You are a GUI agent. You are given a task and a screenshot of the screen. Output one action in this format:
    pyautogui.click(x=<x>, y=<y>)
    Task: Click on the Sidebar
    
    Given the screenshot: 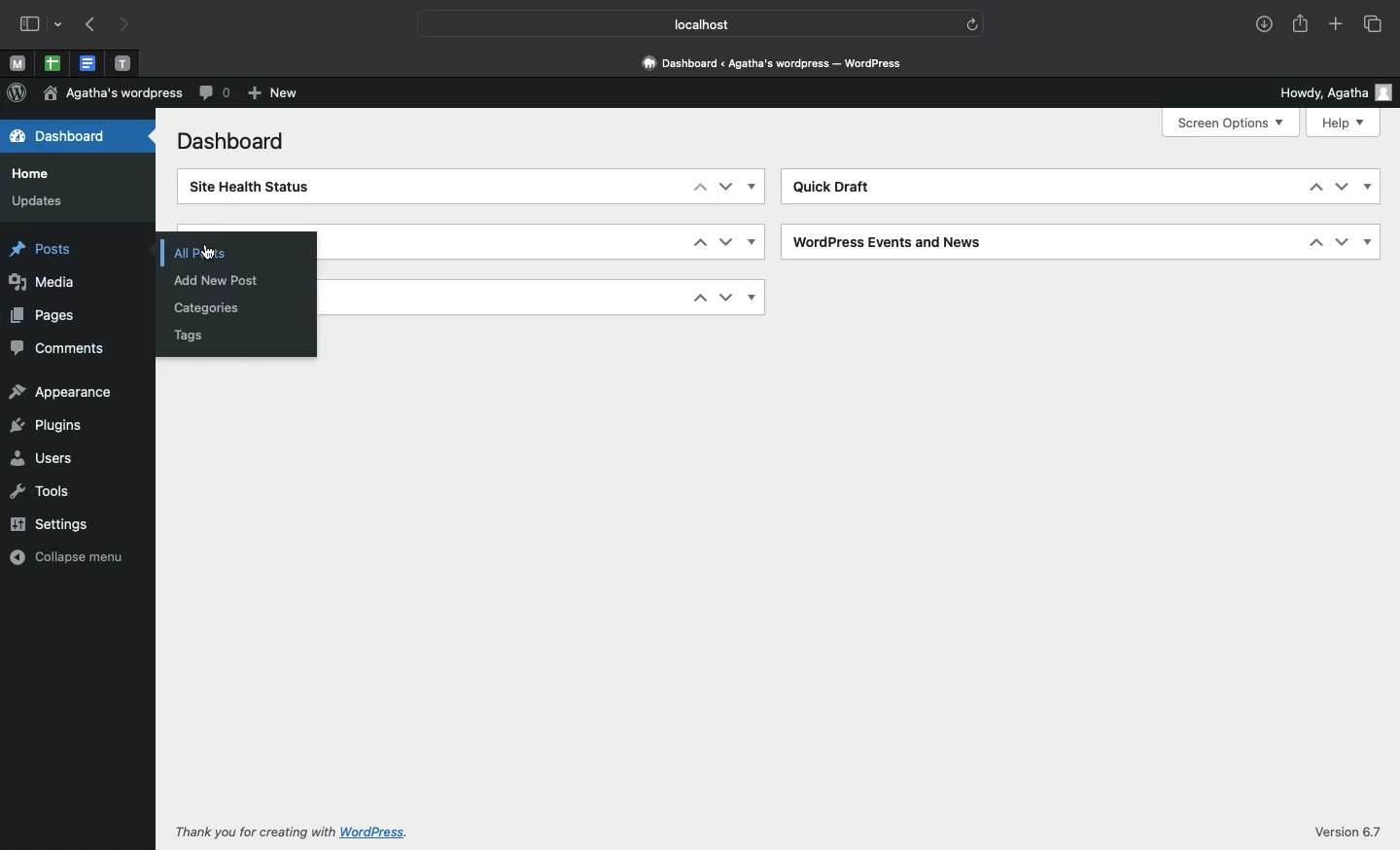 What is the action you would take?
    pyautogui.click(x=42, y=25)
    